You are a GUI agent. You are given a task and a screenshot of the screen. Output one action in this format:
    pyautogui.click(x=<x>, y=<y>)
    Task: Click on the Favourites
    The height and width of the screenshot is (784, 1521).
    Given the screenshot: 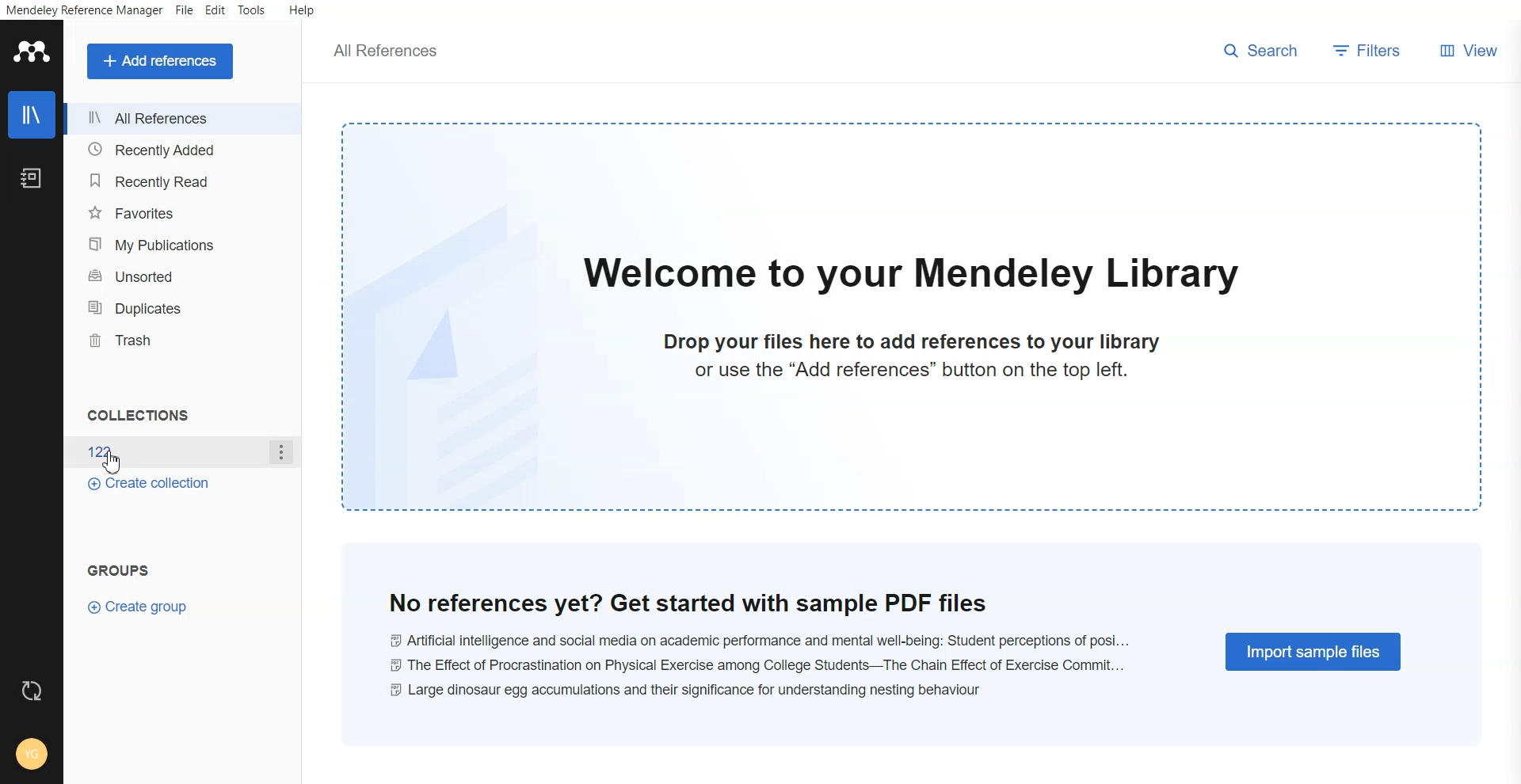 What is the action you would take?
    pyautogui.click(x=183, y=213)
    